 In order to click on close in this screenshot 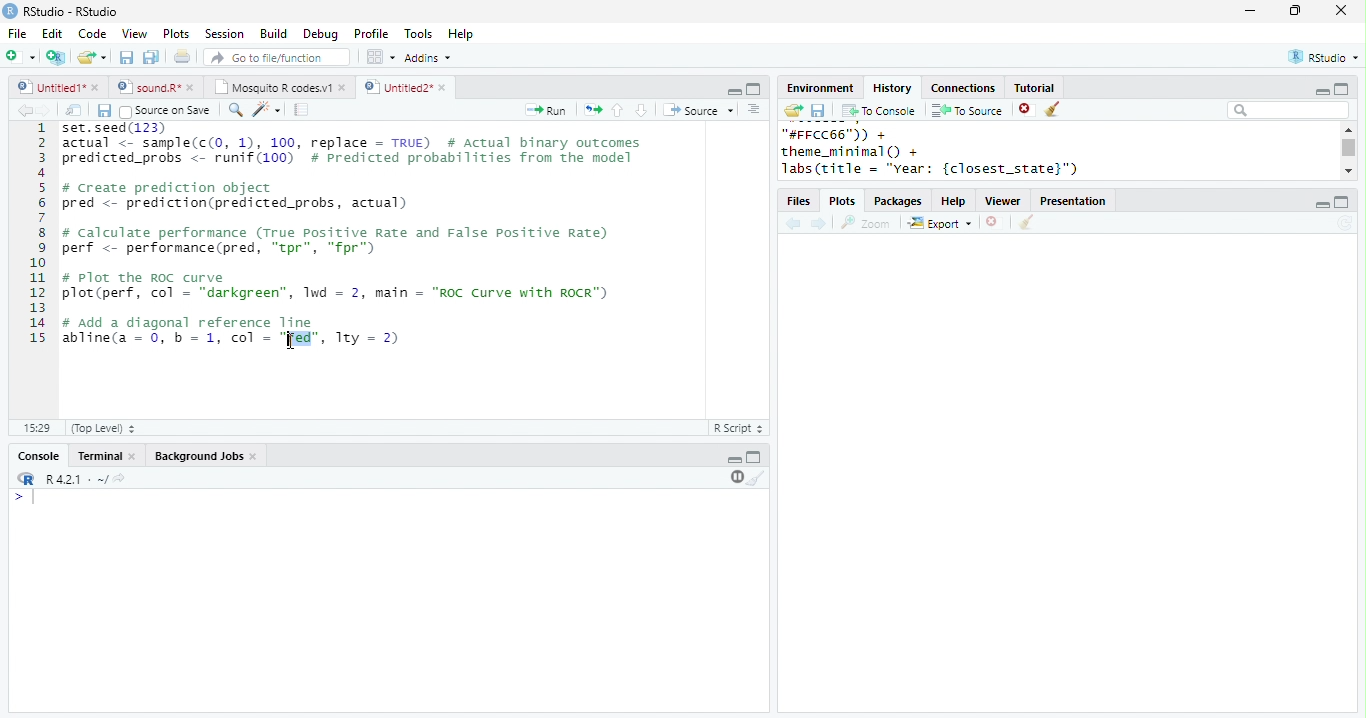, I will do `click(256, 457)`.